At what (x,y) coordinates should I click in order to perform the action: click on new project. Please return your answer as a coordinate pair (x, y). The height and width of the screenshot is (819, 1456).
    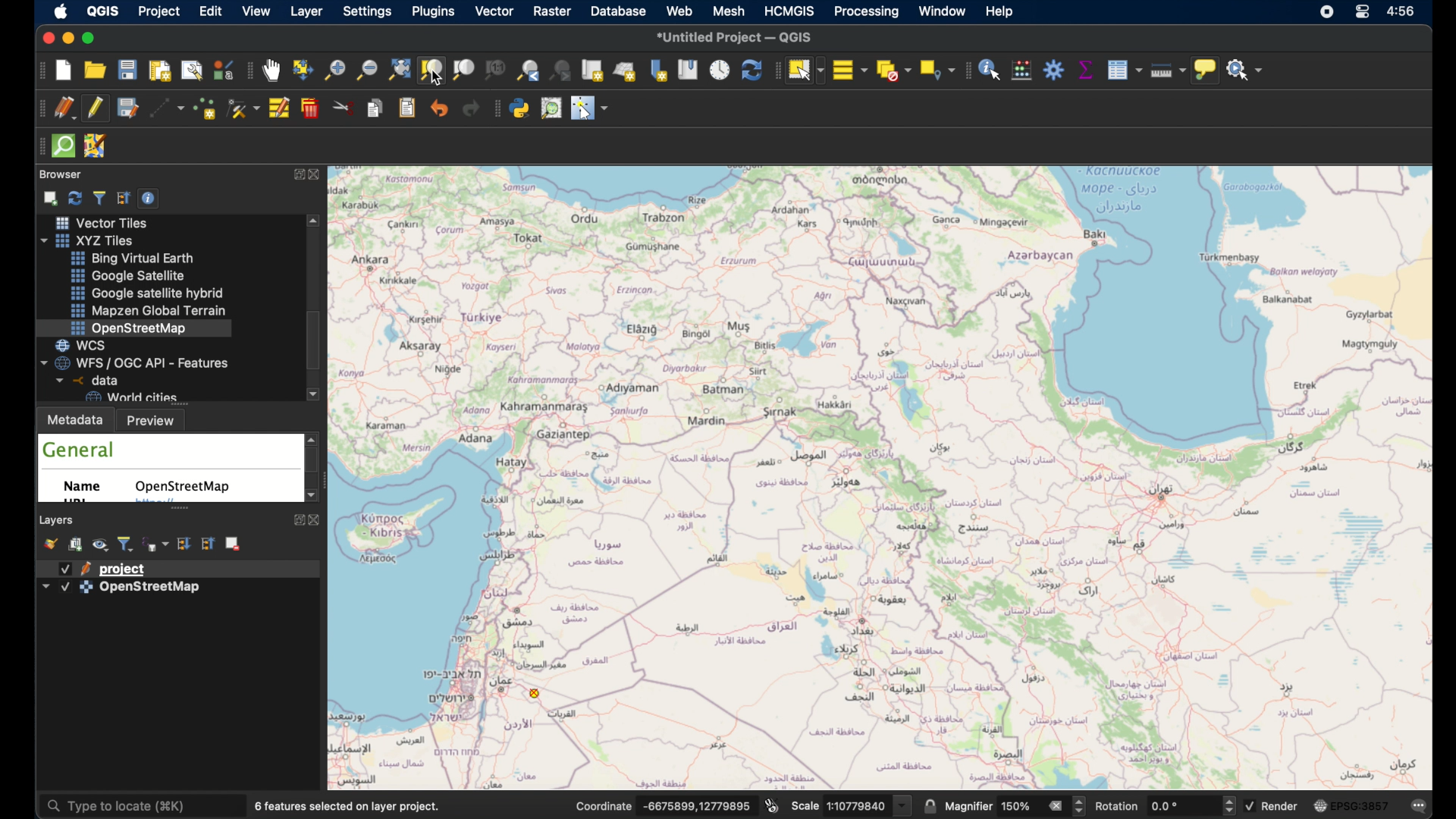
    Looking at the image, I should click on (64, 72).